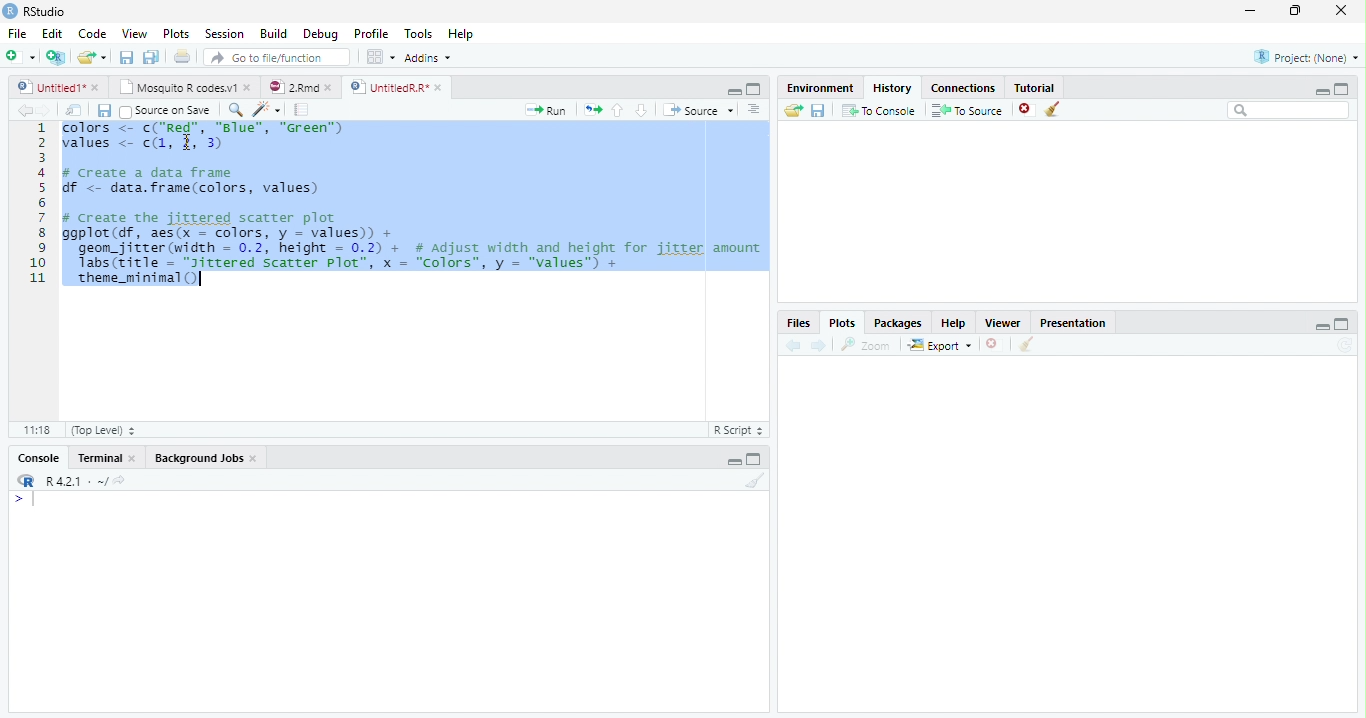 The height and width of the screenshot is (718, 1366). I want to click on Go to previous section/chunk, so click(617, 110).